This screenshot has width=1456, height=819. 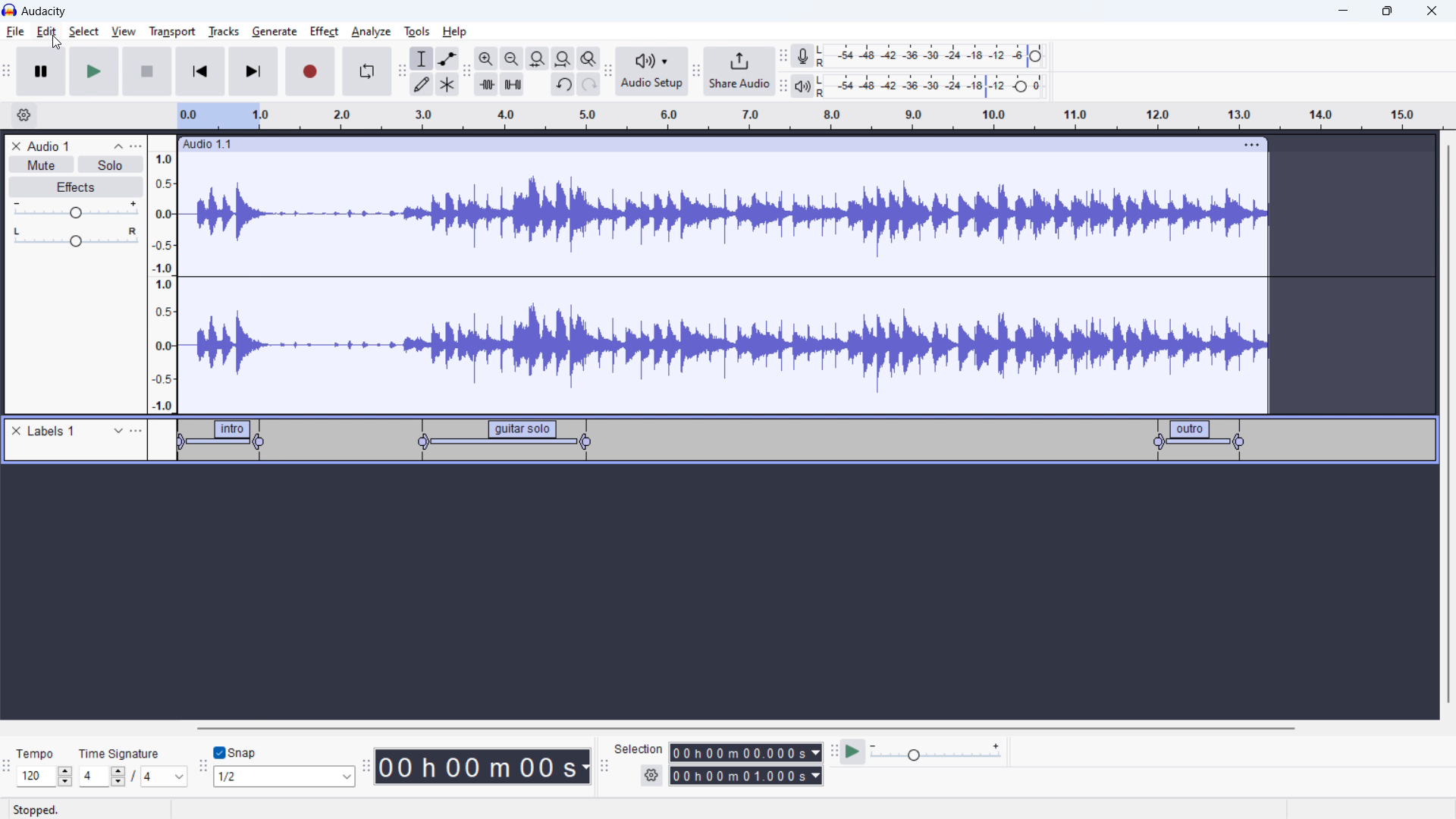 What do you see at coordinates (45, 808) in the screenshot?
I see `stopped.` at bounding box center [45, 808].